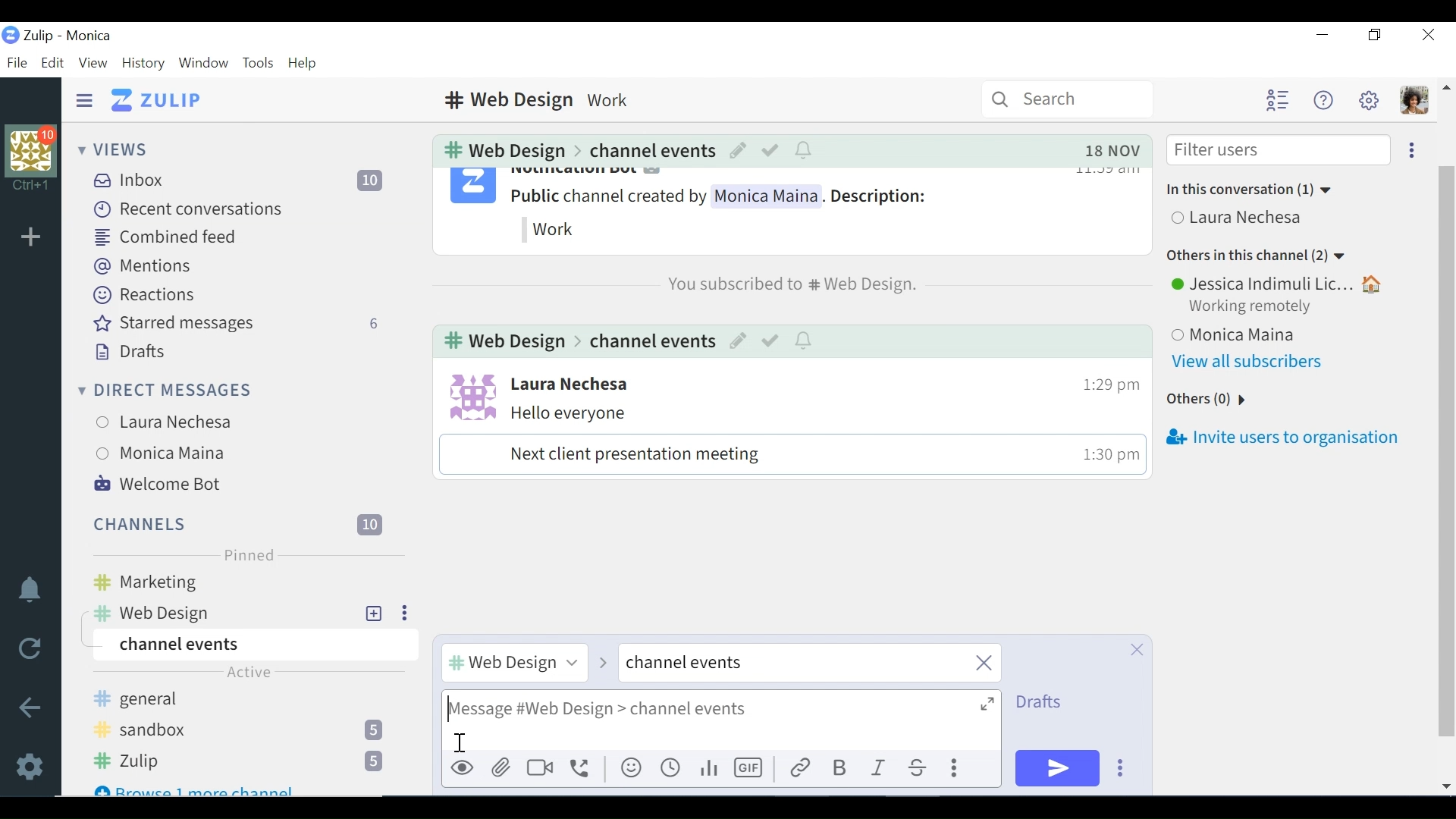  I want to click on Direct Messages menu, so click(165, 388).